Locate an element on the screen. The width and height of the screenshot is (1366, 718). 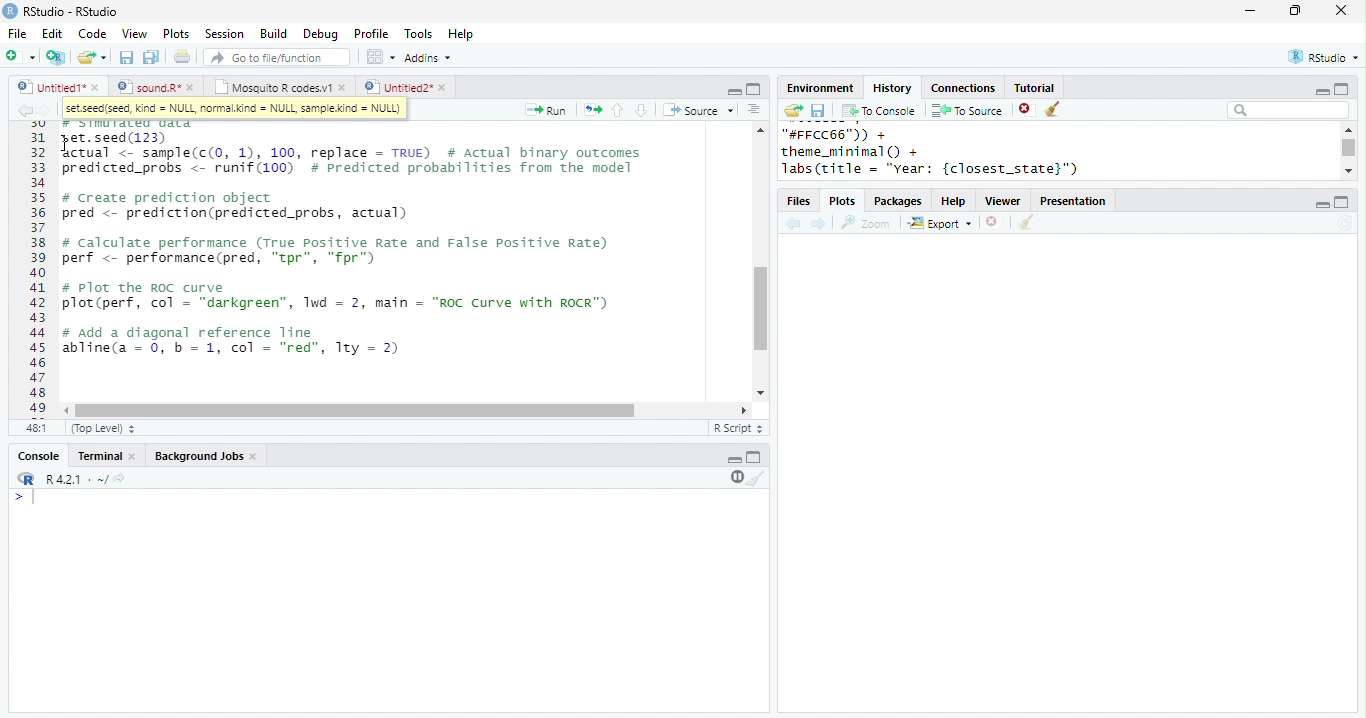
rerun is located at coordinates (593, 110).